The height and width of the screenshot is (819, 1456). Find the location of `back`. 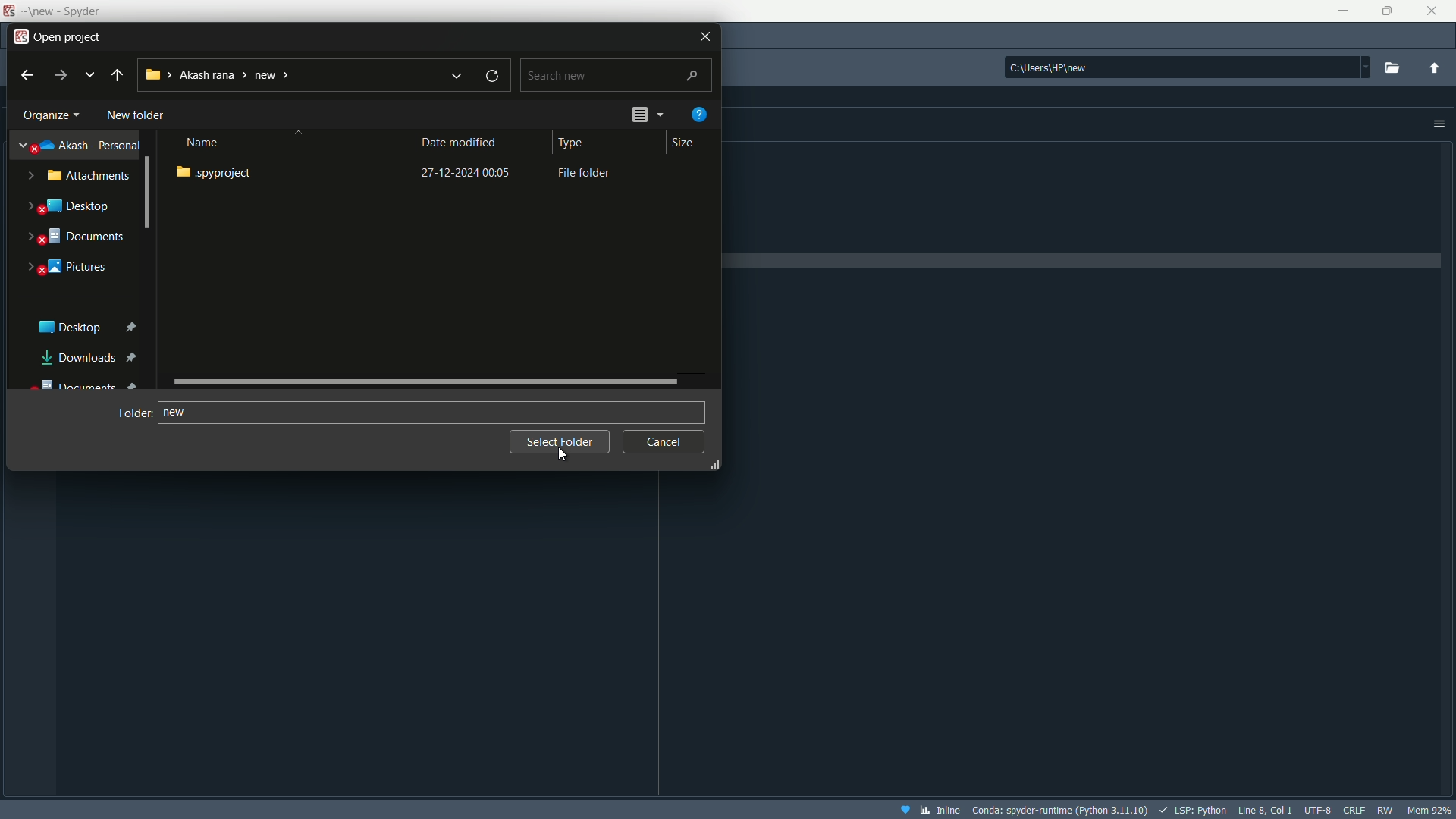

back is located at coordinates (118, 74).